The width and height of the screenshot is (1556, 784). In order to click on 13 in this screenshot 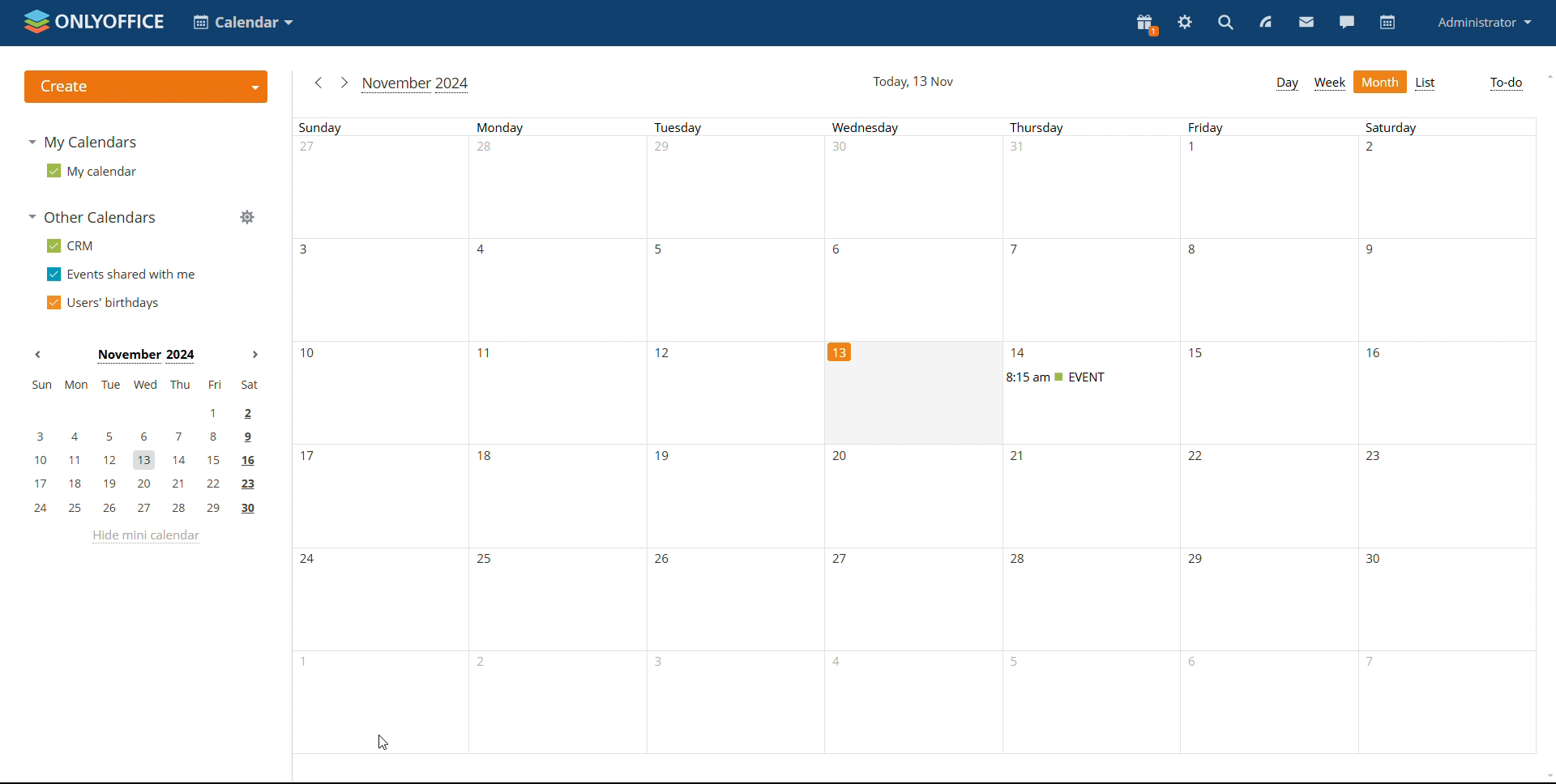, I will do `click(840, 352)`.